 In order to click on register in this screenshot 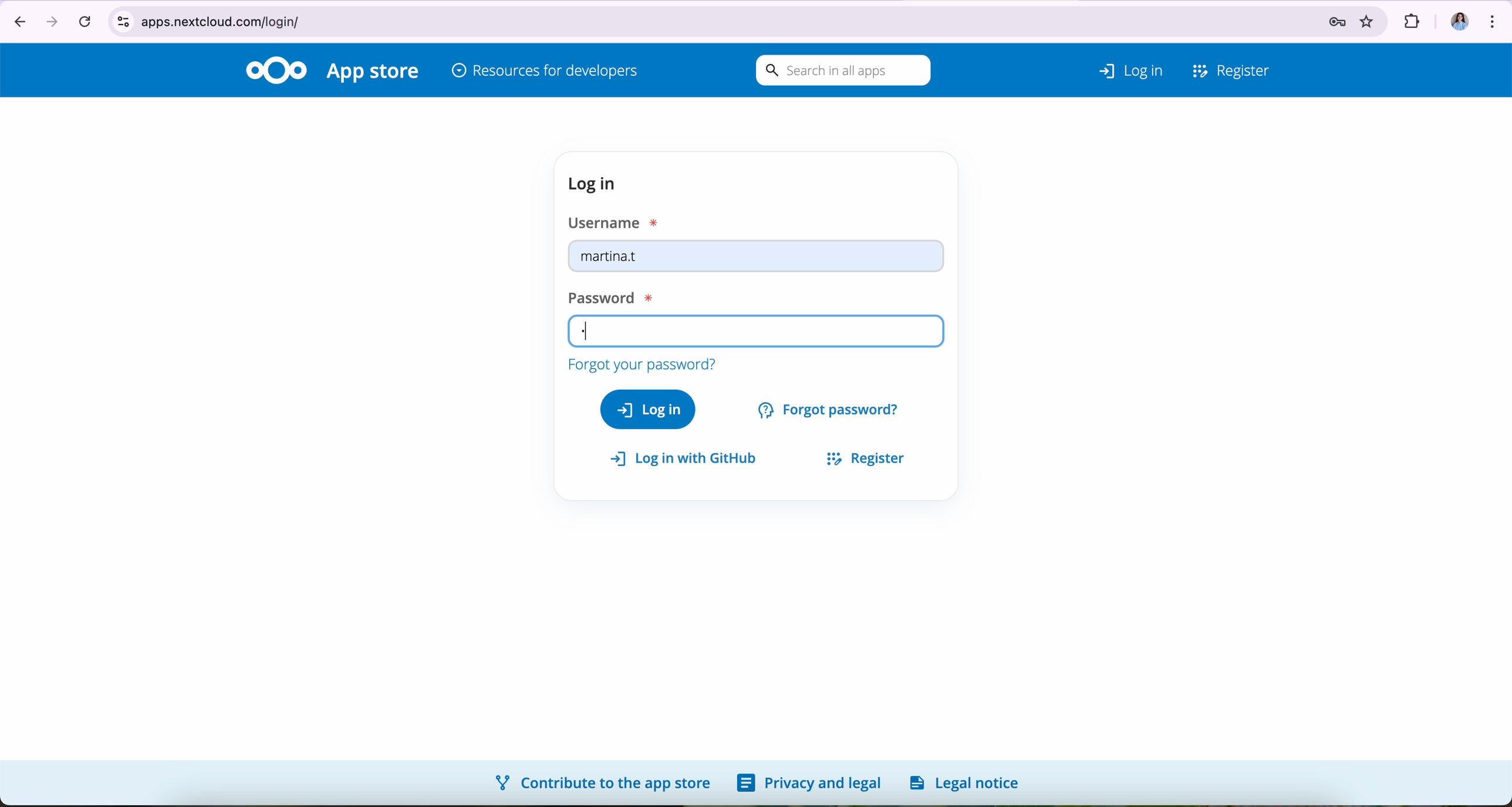, I will do `click(860, 456)`.